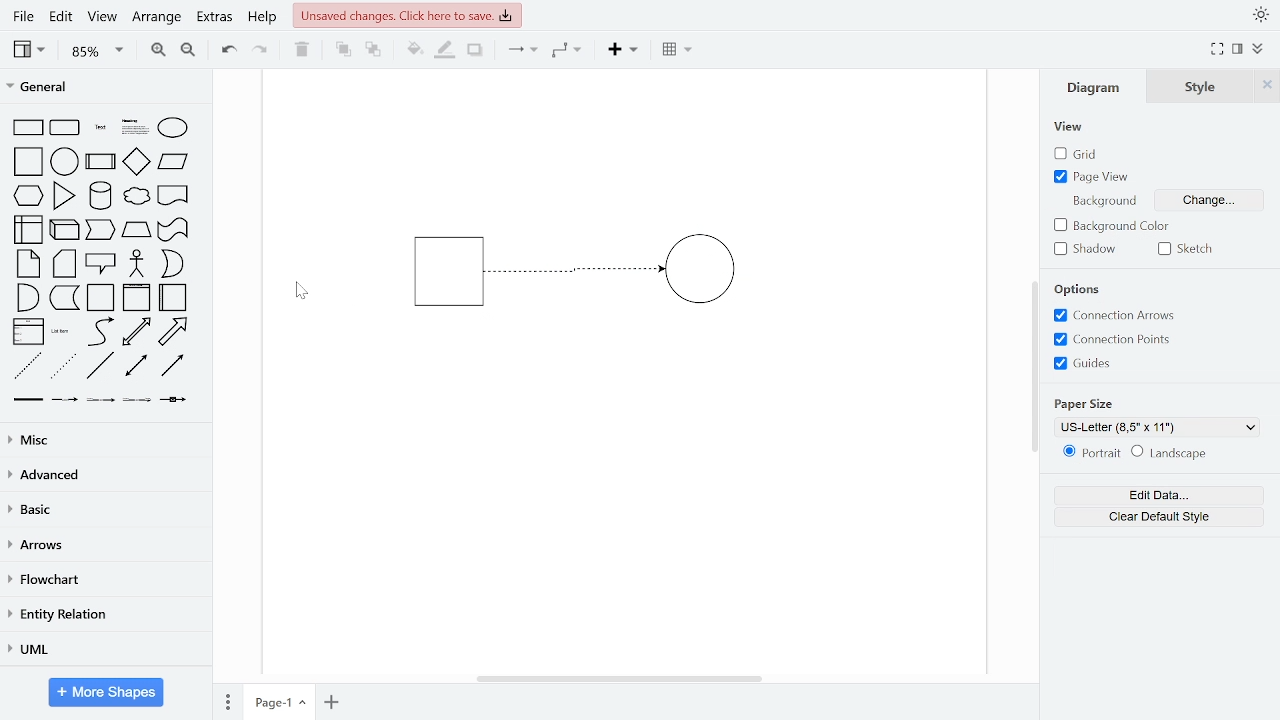  Describe the element at coordinates (157, 18) in the screenshot. I see `arrange` at that location.